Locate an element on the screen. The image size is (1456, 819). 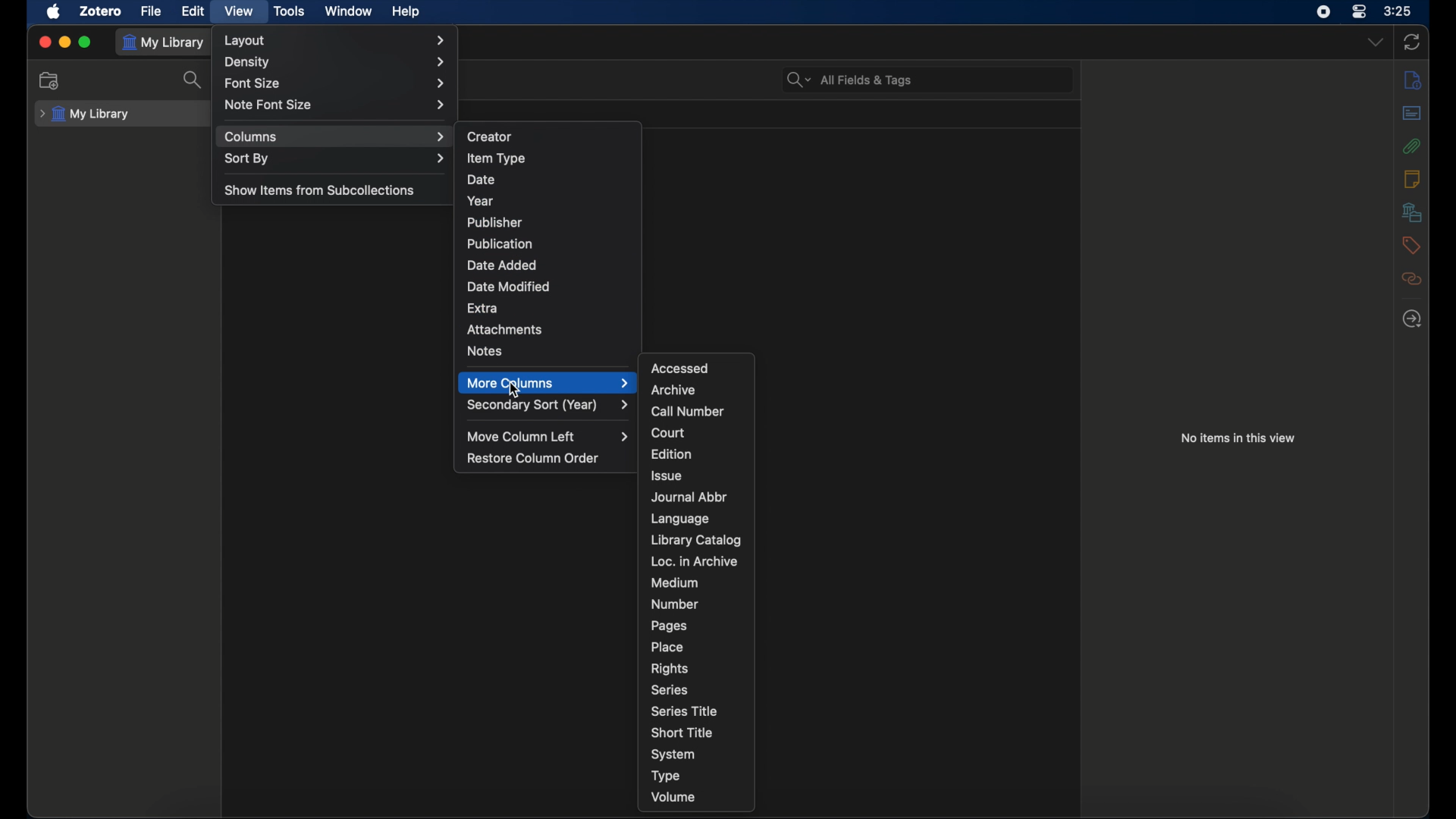
library catalog is located at coordinates (696, 540).